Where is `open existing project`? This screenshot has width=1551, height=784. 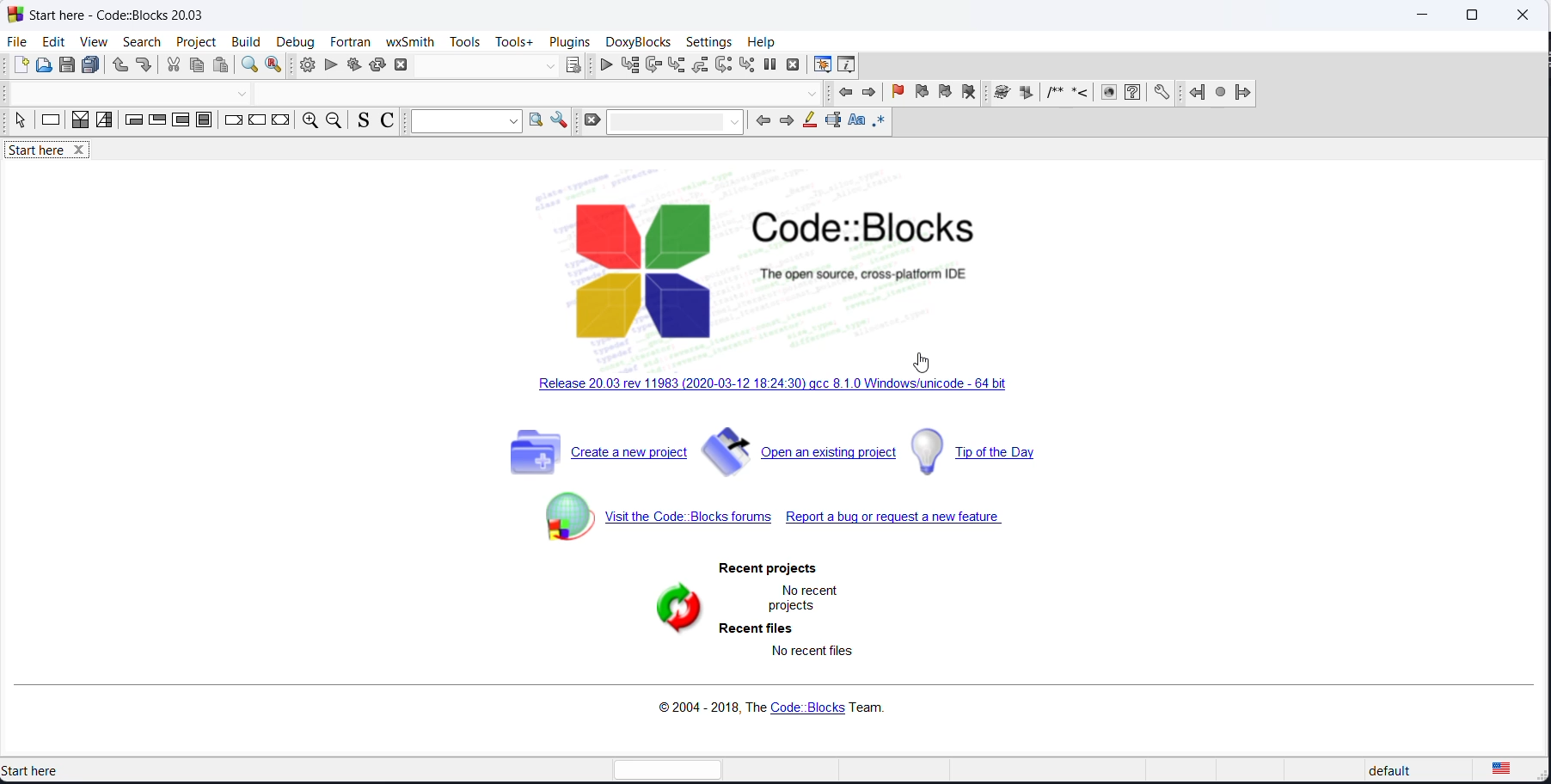
open existing project is located at coordinates (803, 452).